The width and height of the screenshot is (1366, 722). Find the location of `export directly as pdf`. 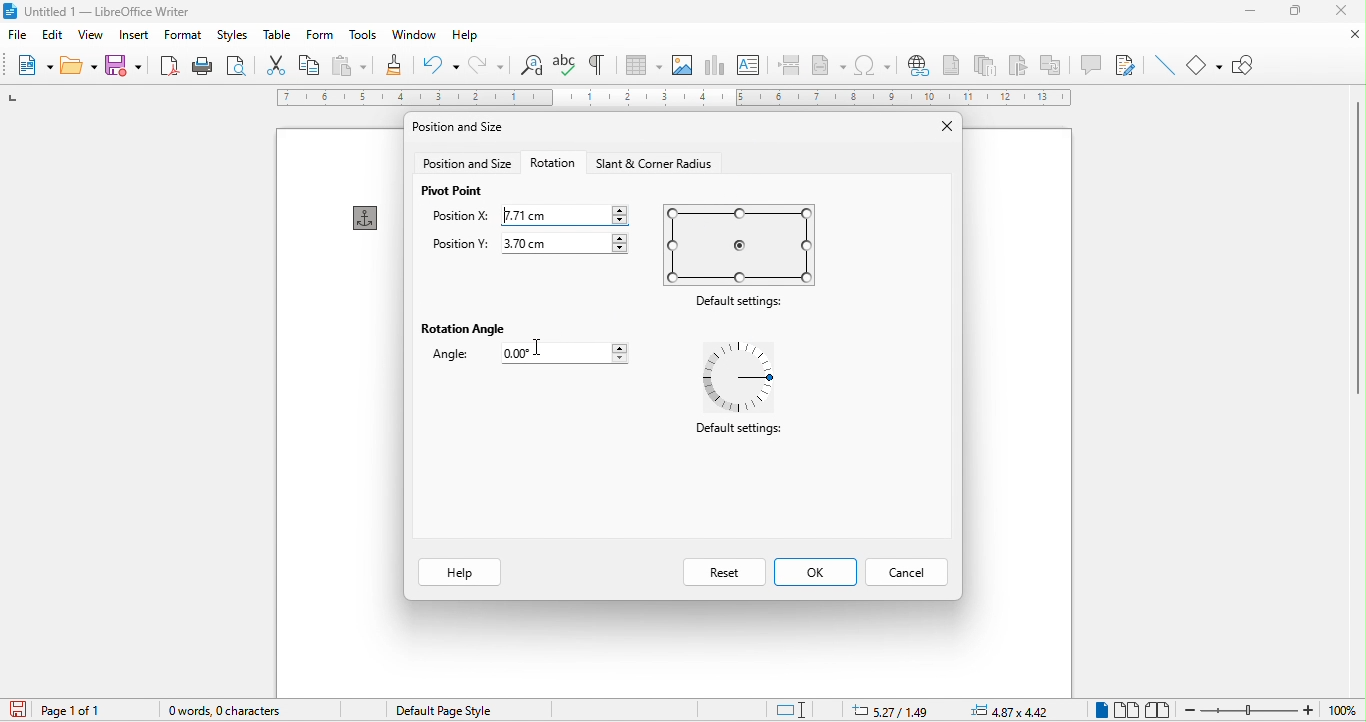

export directly as pdf is located at coordinates (169, 64).